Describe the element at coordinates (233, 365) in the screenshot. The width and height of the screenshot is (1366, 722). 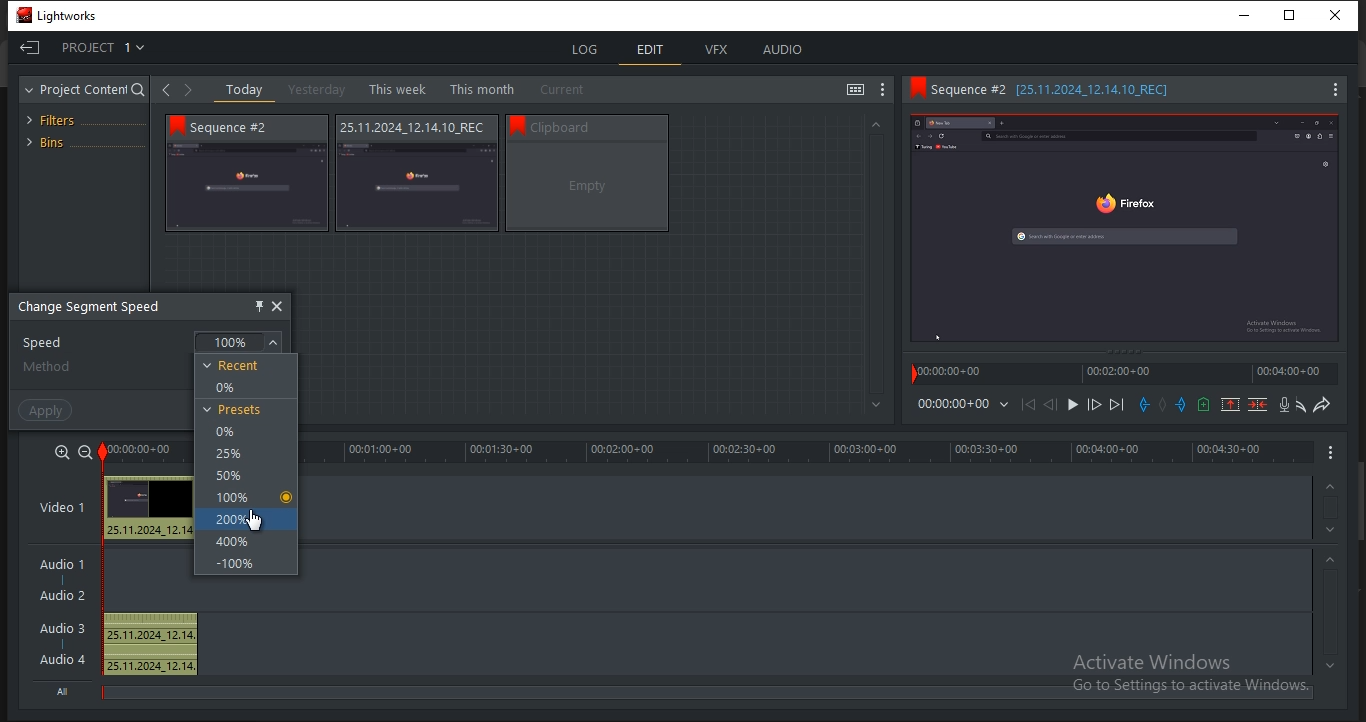
I see `recent` at that location.